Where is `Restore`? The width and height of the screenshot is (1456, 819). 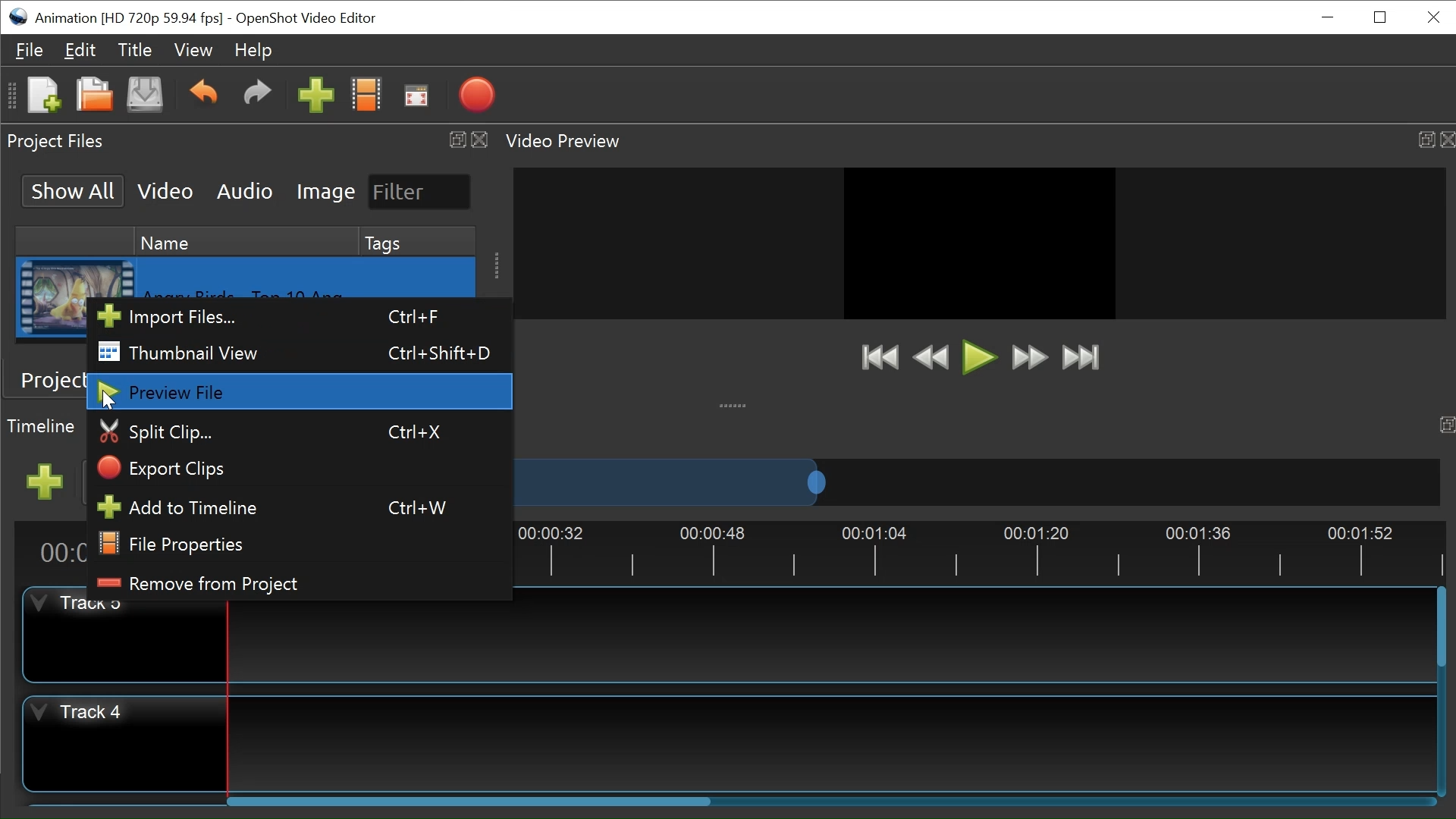
Restore is located at coordinates (1379, 17).